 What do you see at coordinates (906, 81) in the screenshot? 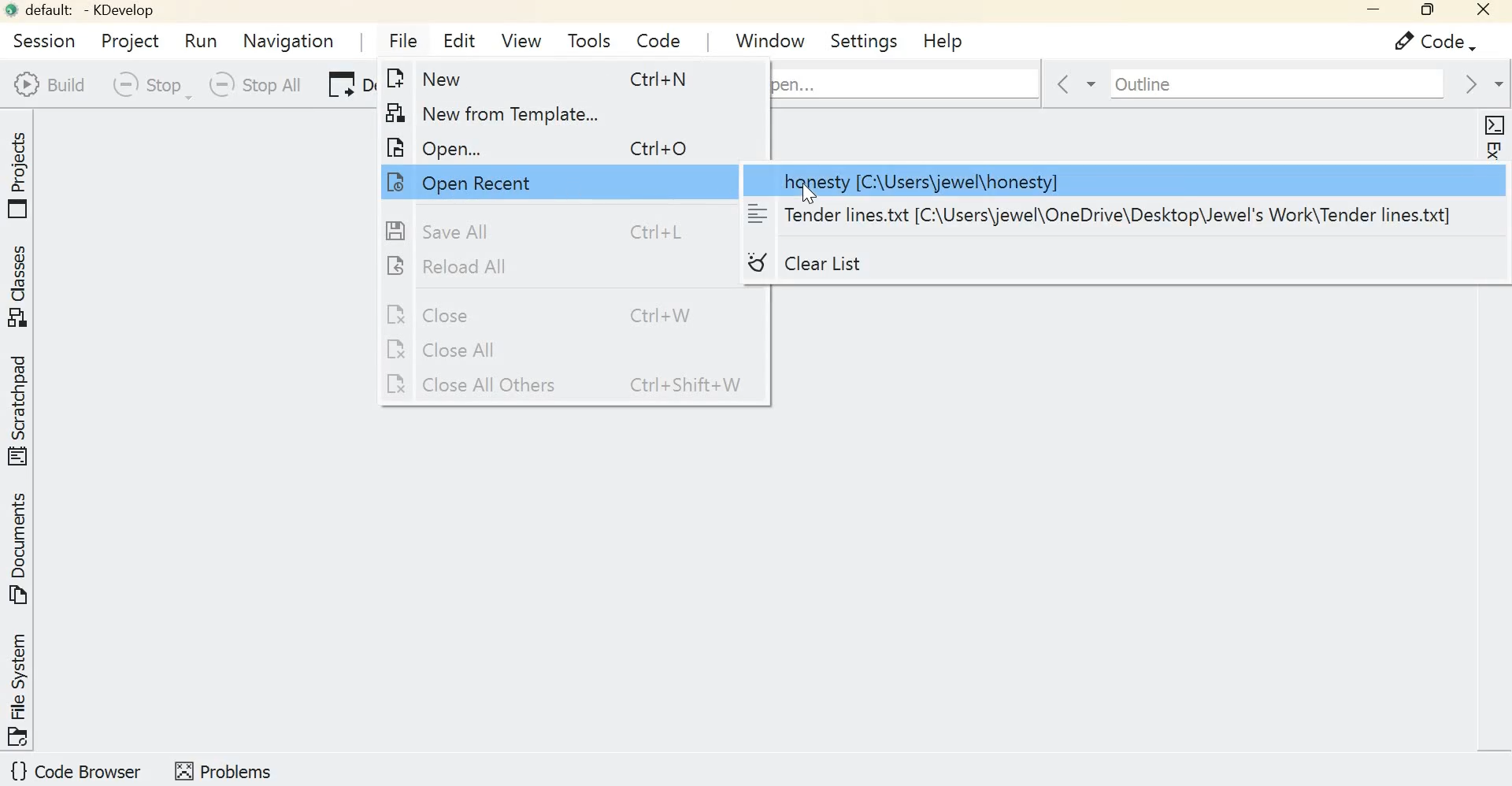
I see `Search for files, classes, functions and more, allowing you to quickly navigate in your source code` at bounding box center [906, 81].